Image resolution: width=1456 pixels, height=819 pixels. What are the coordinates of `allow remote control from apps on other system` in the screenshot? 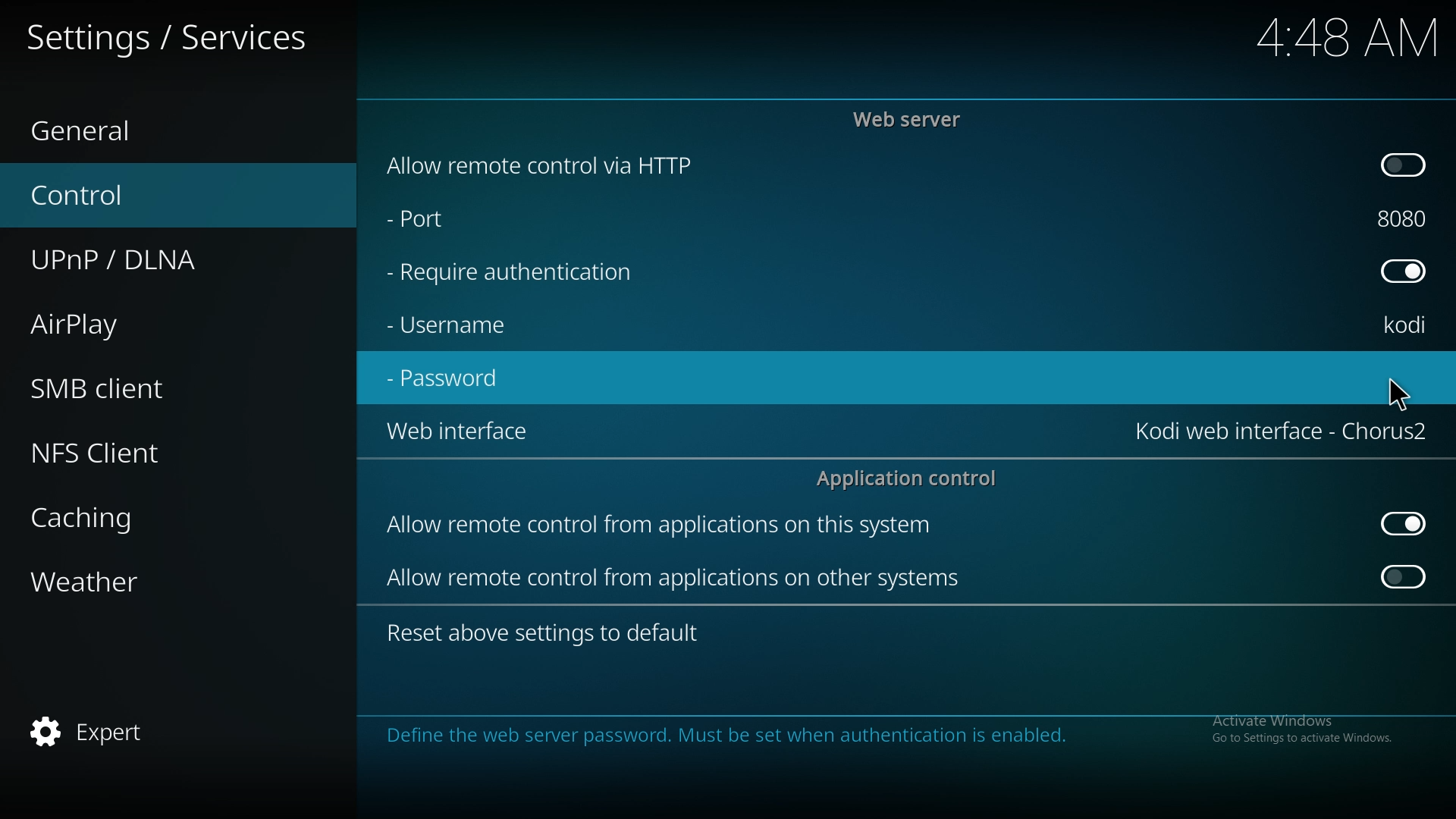 It's located at (681, 580).